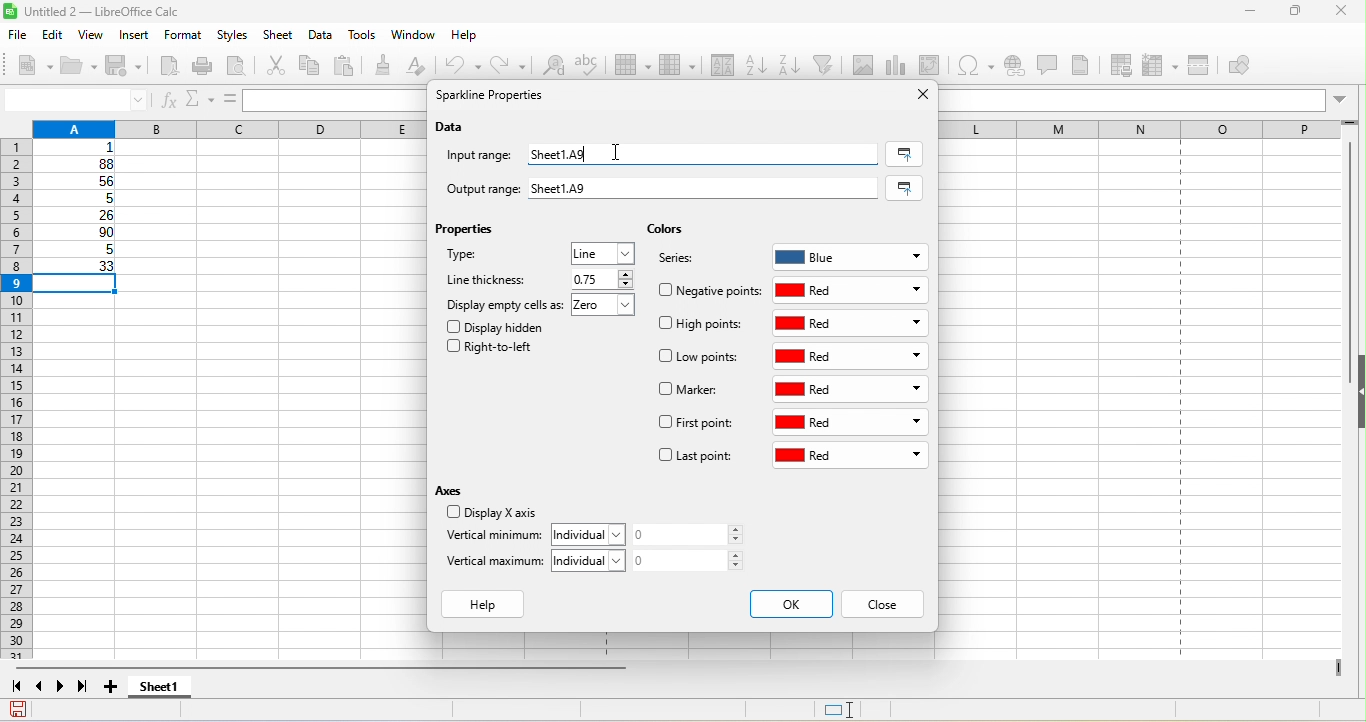  I want to click on vertical maximum, so click(496, 565).